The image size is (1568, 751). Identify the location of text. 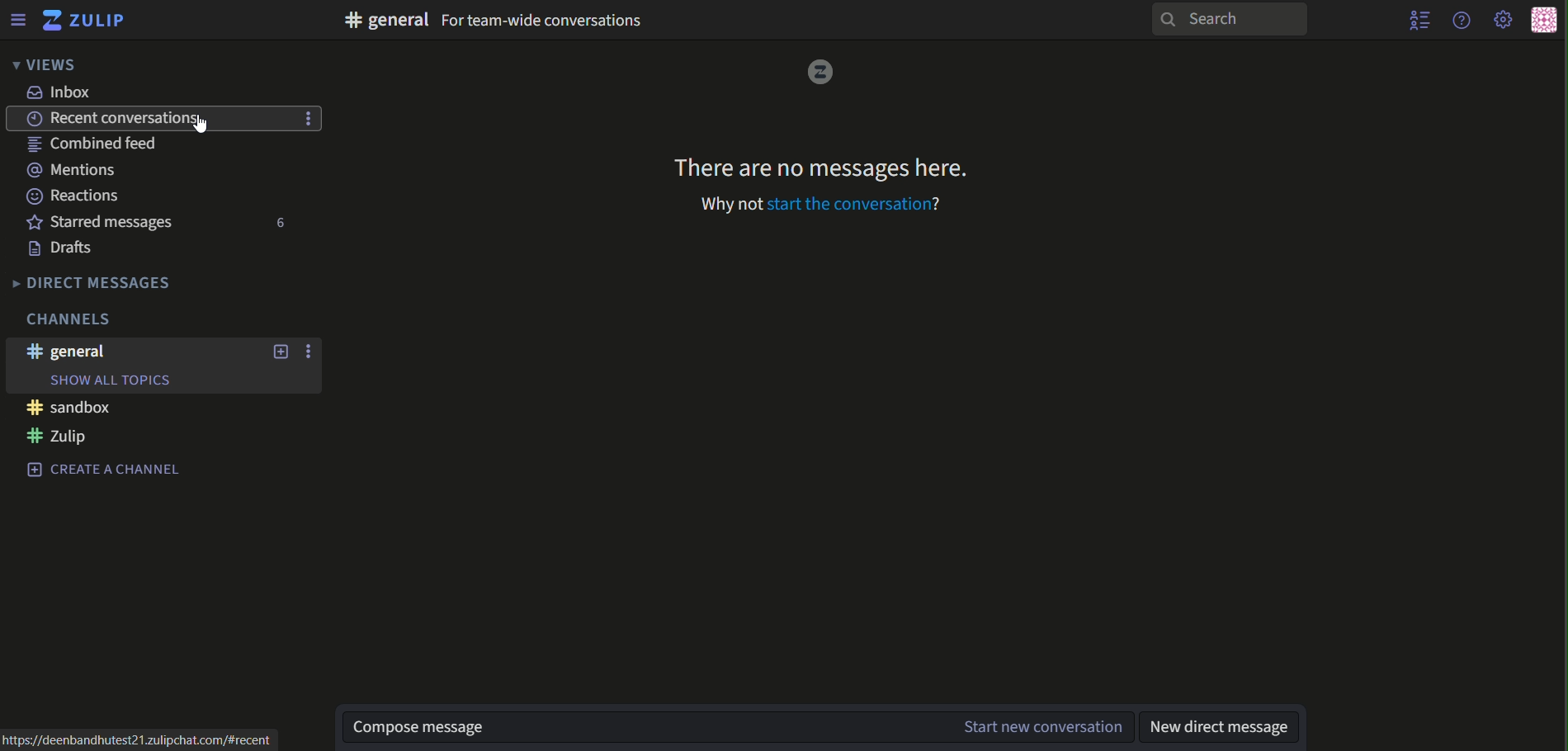
(74, 196).